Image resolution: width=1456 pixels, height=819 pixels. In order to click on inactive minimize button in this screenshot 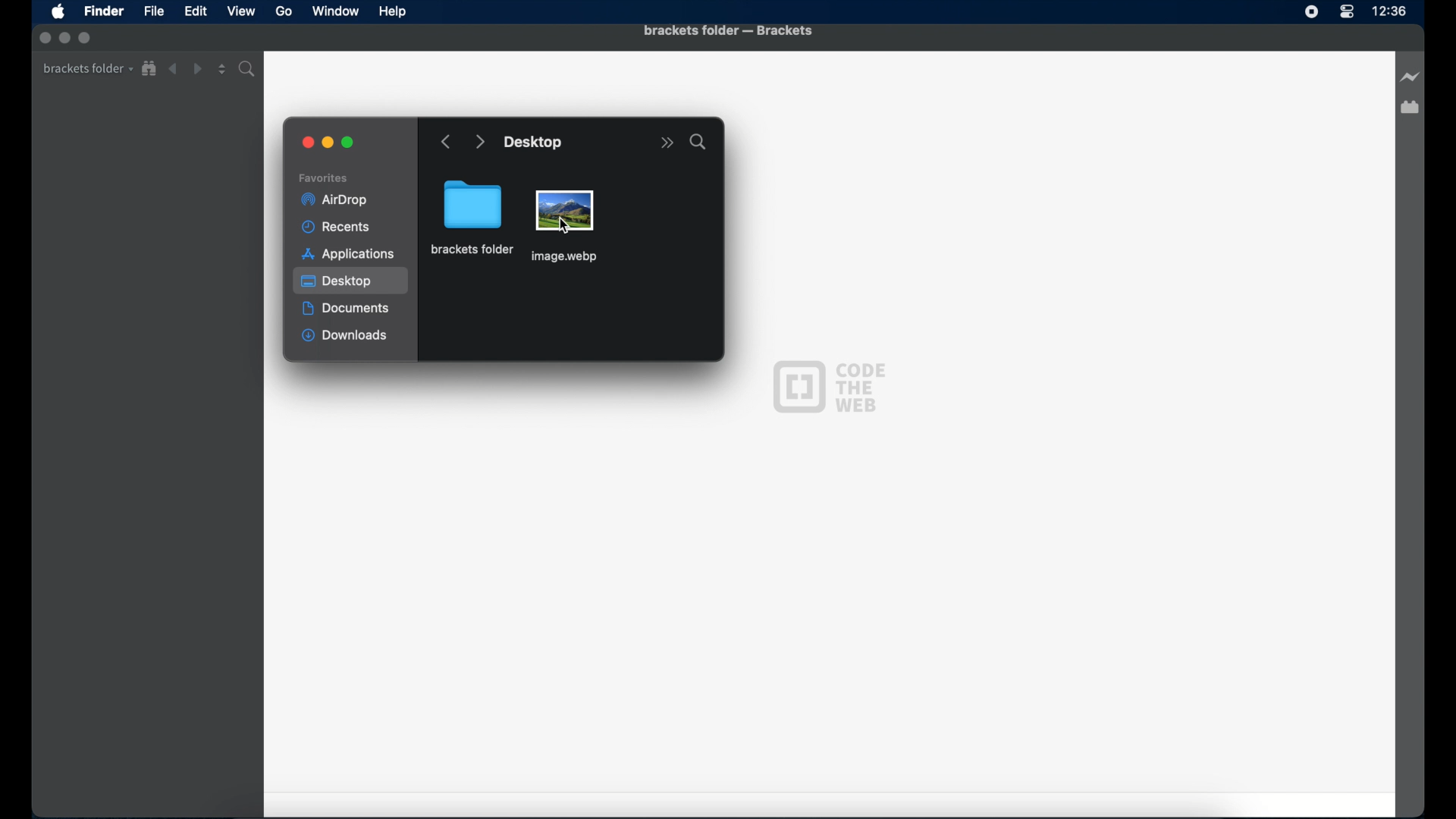, I will do `click(64, 39)`.